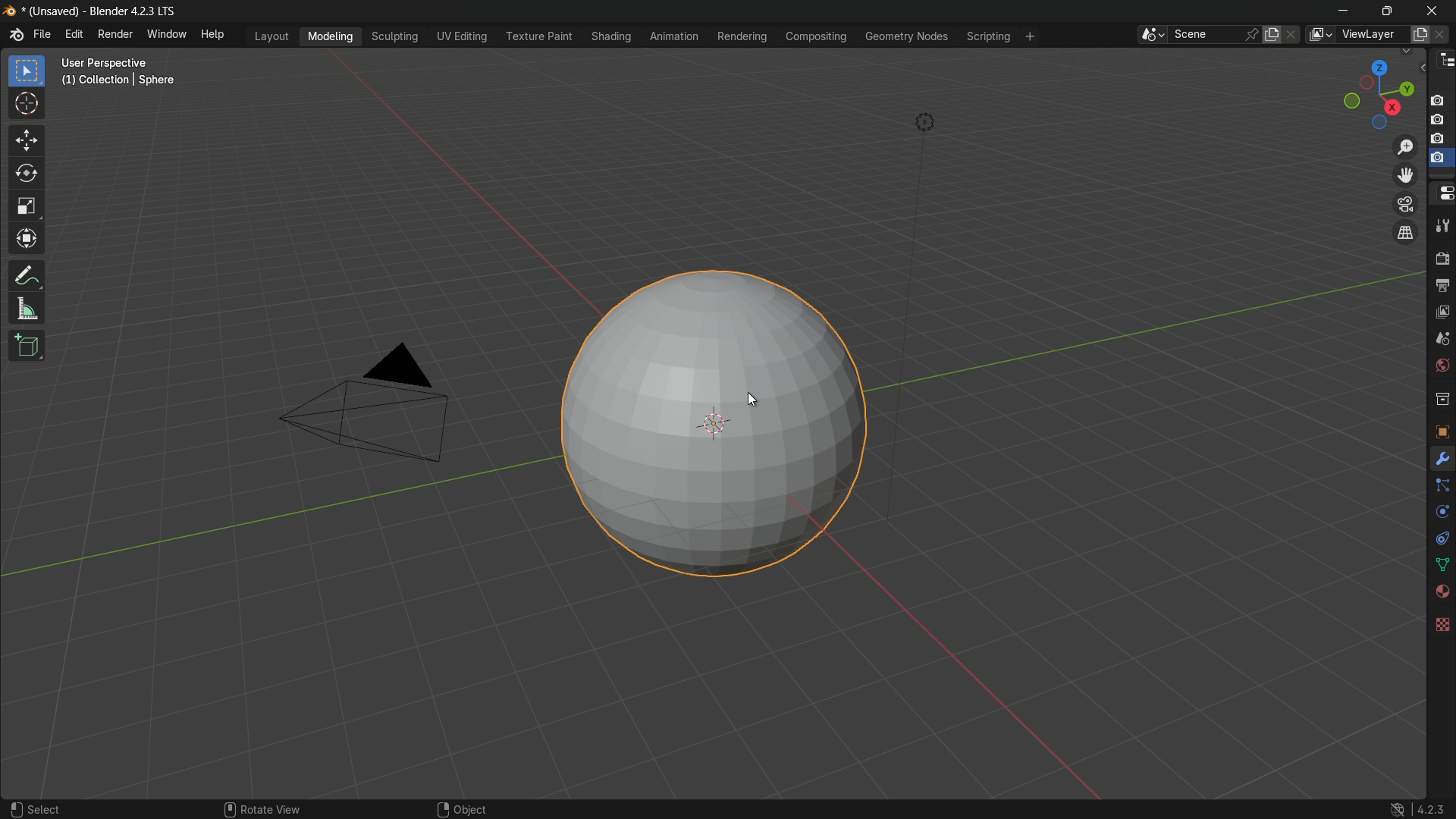  I want to click on modifier, so click(1442, 460).